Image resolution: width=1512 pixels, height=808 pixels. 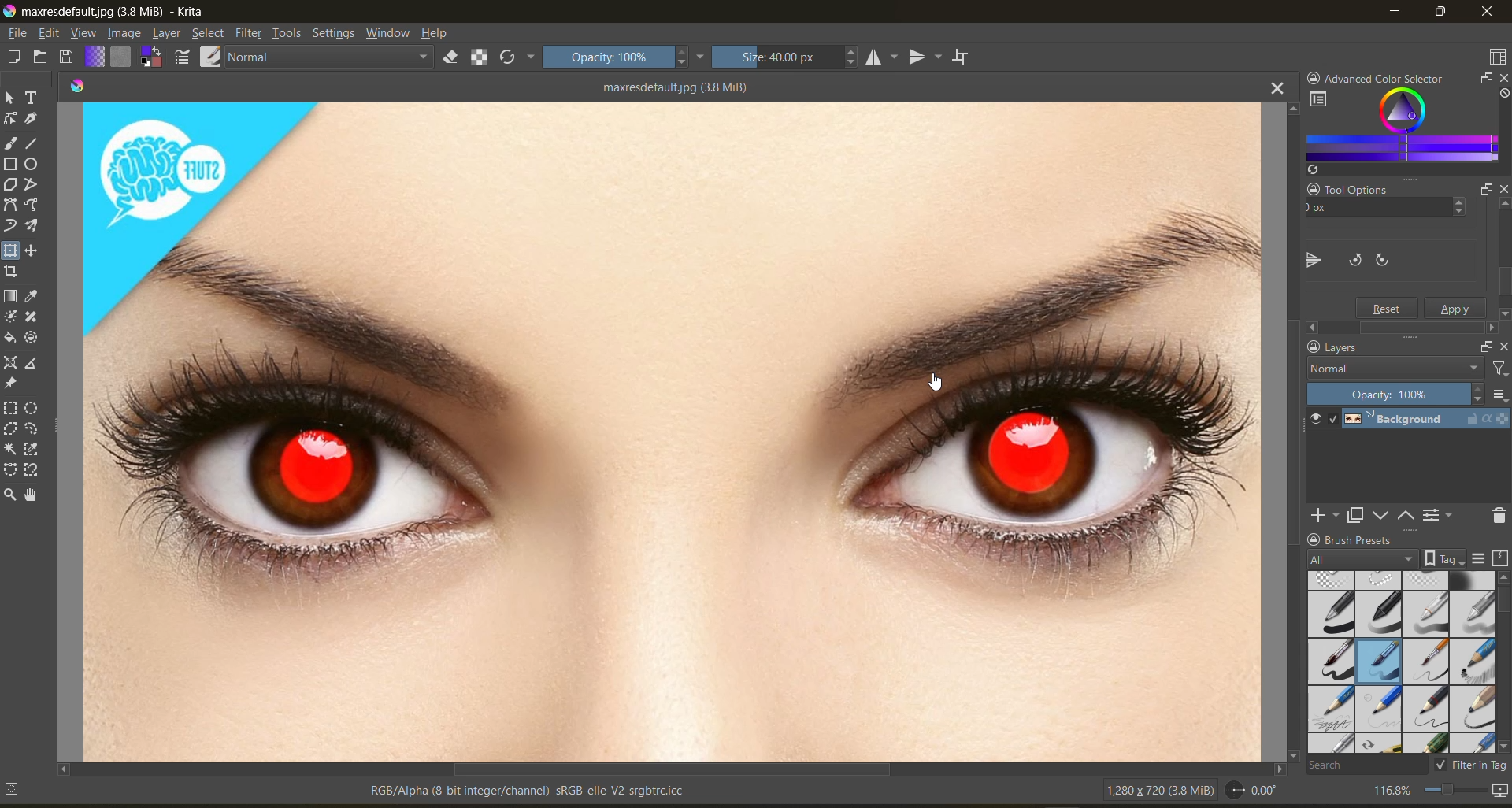 What do you see at coordinates (33, 165) in the screenshot?
I see `tool` at bounding box center [33, 165].